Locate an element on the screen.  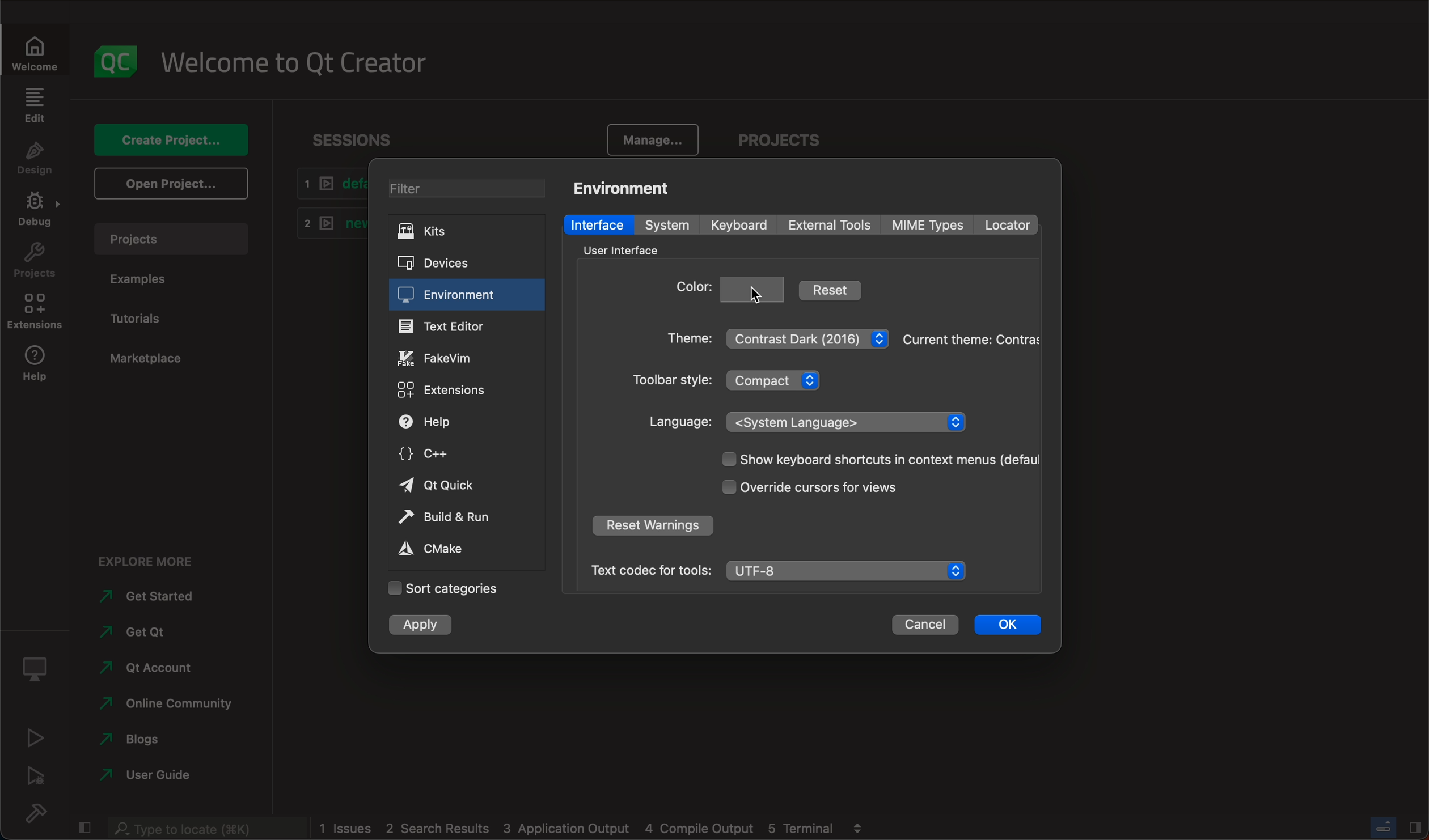
debug is located at coordinates (39, 213).